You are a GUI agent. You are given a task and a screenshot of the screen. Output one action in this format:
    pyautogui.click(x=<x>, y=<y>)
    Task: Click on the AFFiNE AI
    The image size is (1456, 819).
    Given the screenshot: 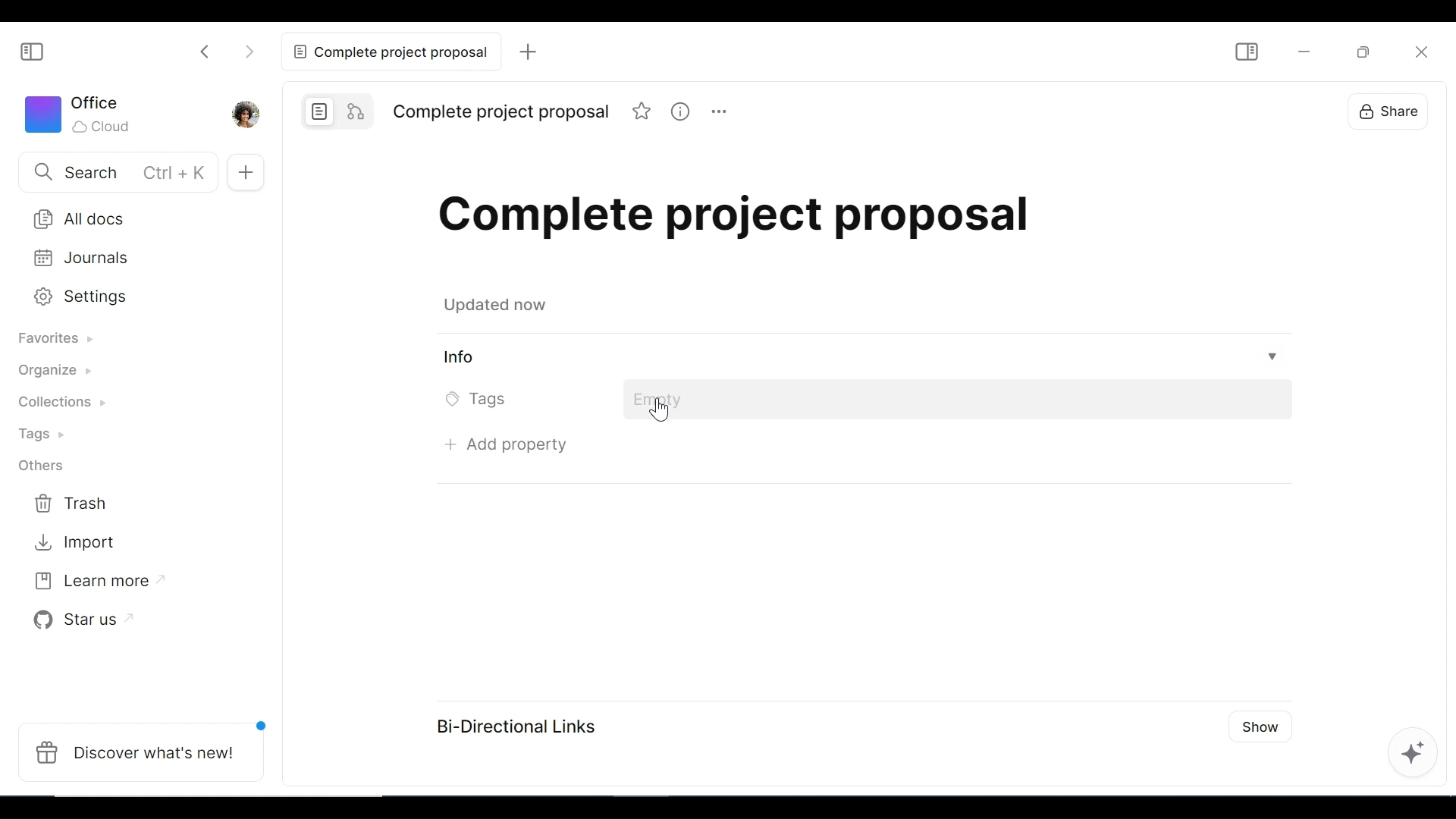 What is the action you would take?
    pyautogui.click(x=1417, y=753)
    